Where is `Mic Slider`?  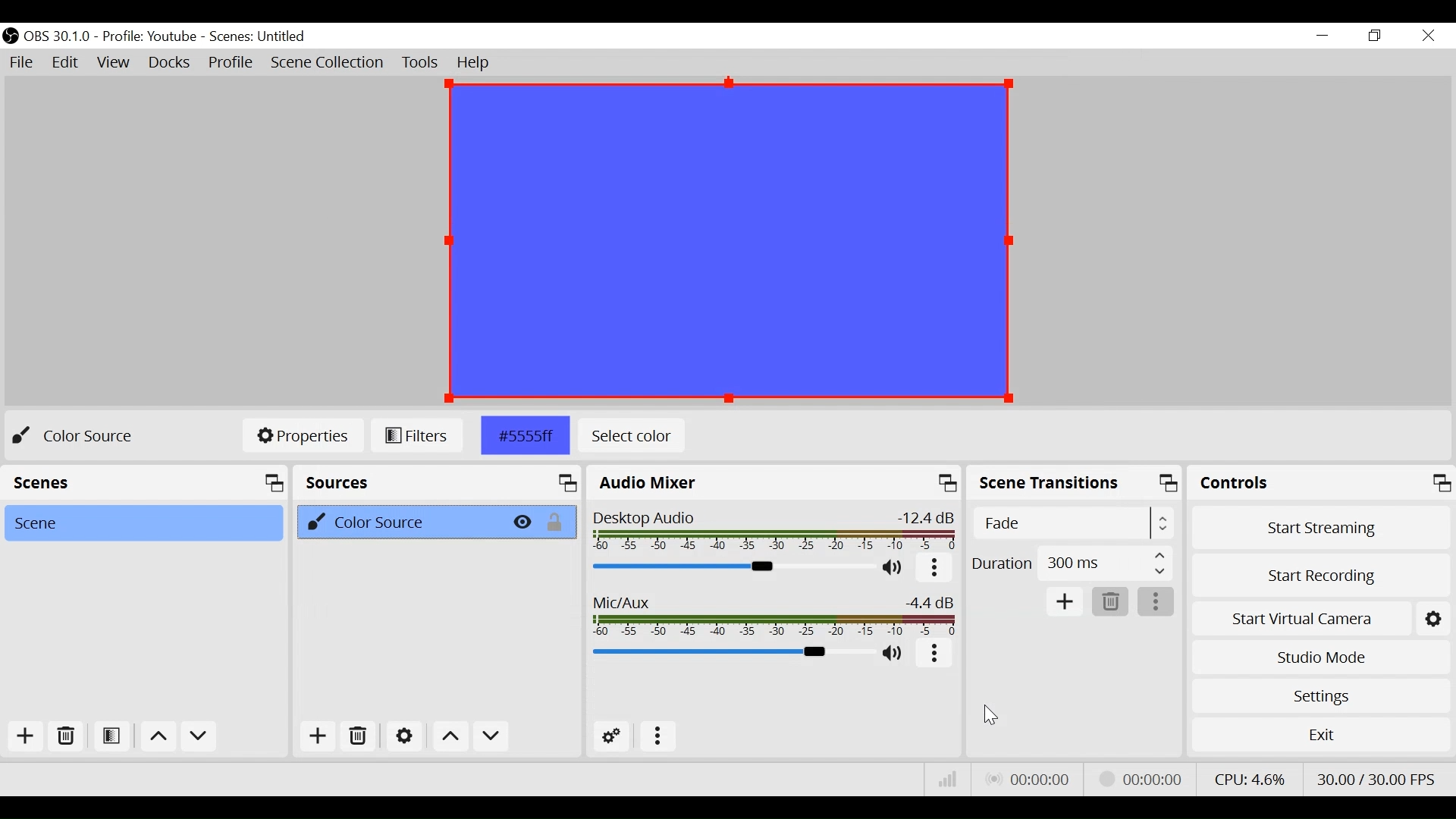 Mic Slider is located at coordinates (731, 652).